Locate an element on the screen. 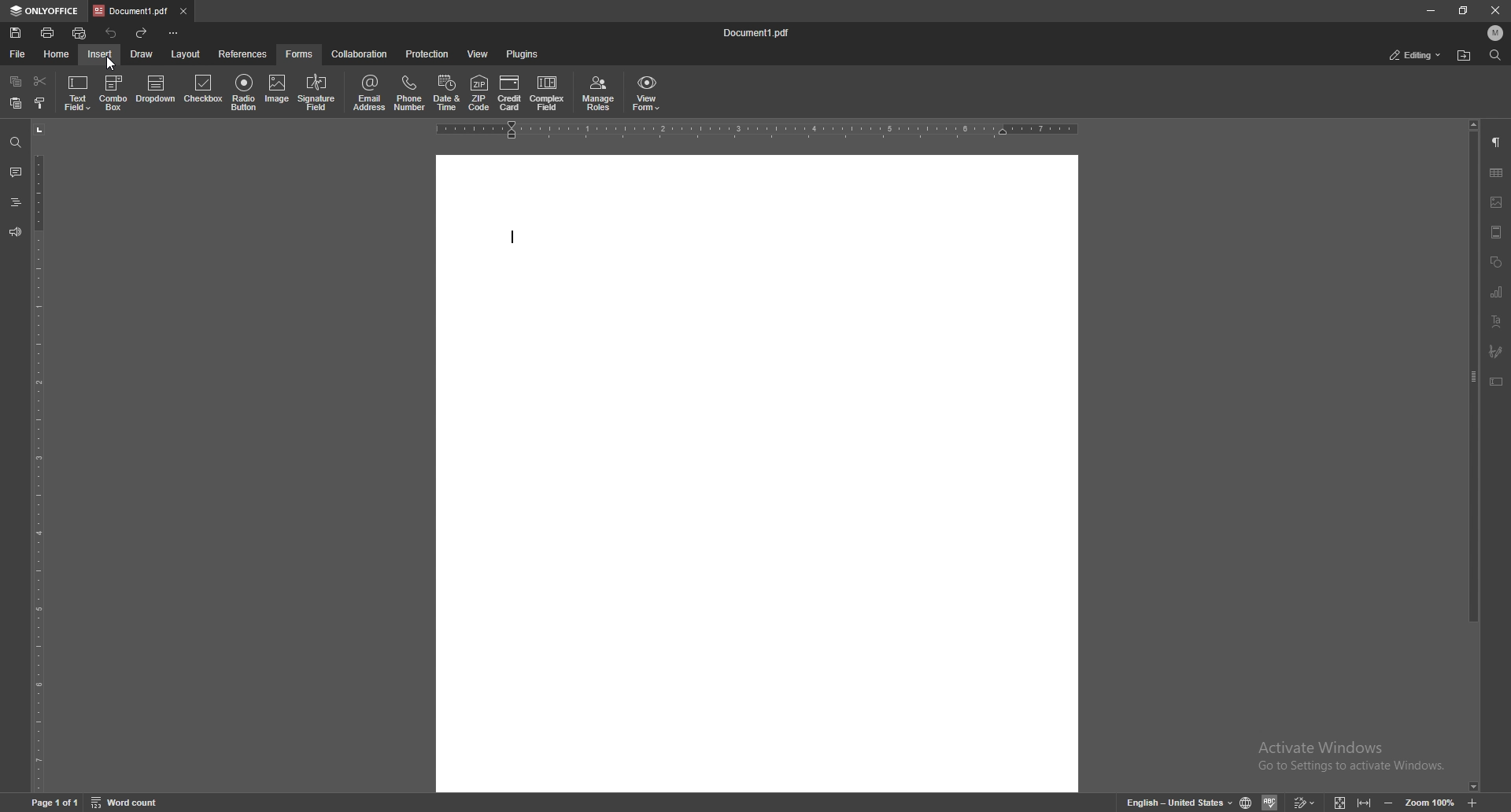 The width and height of the screenshot is (1511, 812). view form is located at coordinates (648, 92).